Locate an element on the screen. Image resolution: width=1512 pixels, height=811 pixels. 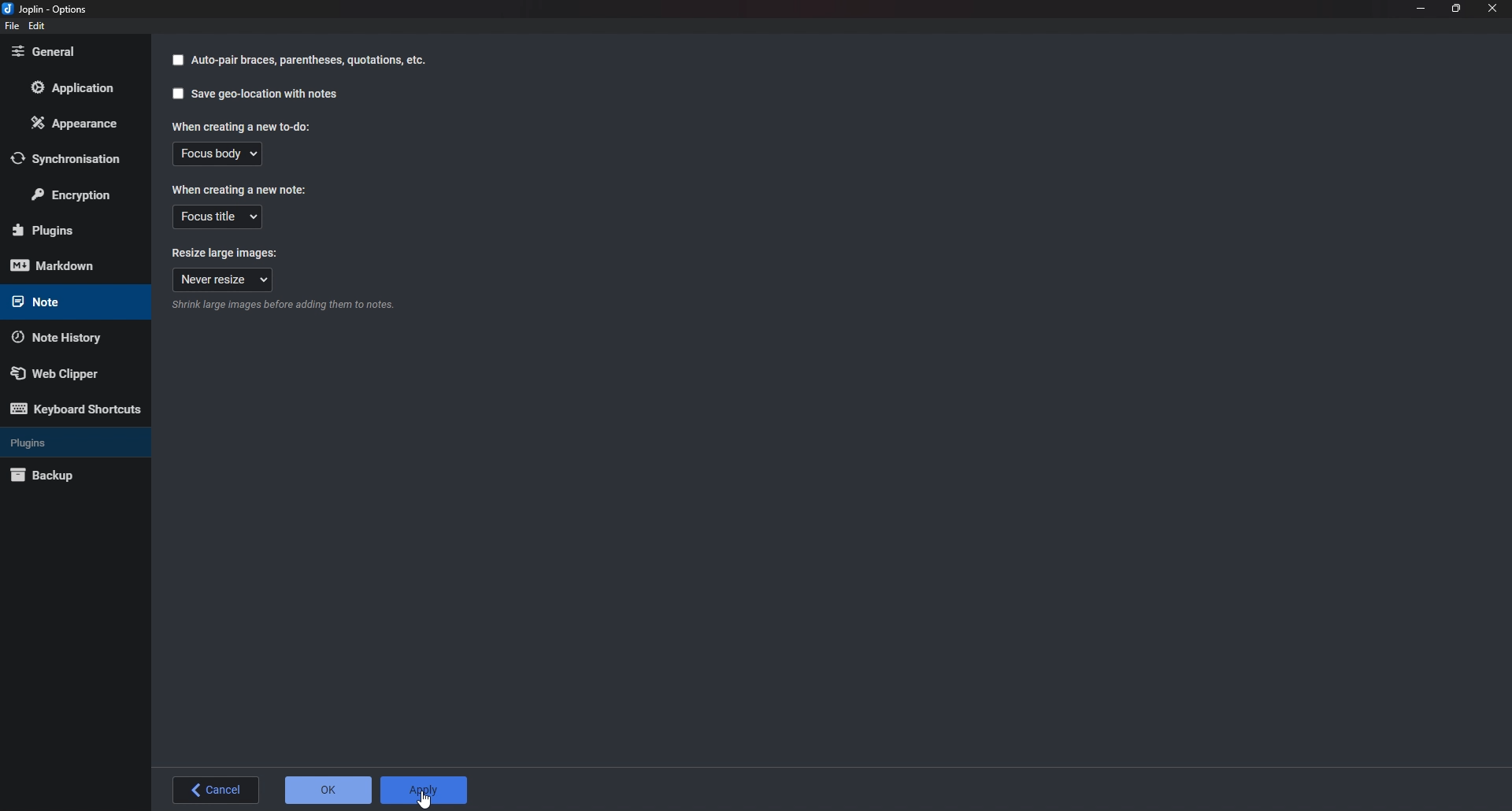
auto pair braces parenthesis Quotation etc is located at coordinates (297, 61).